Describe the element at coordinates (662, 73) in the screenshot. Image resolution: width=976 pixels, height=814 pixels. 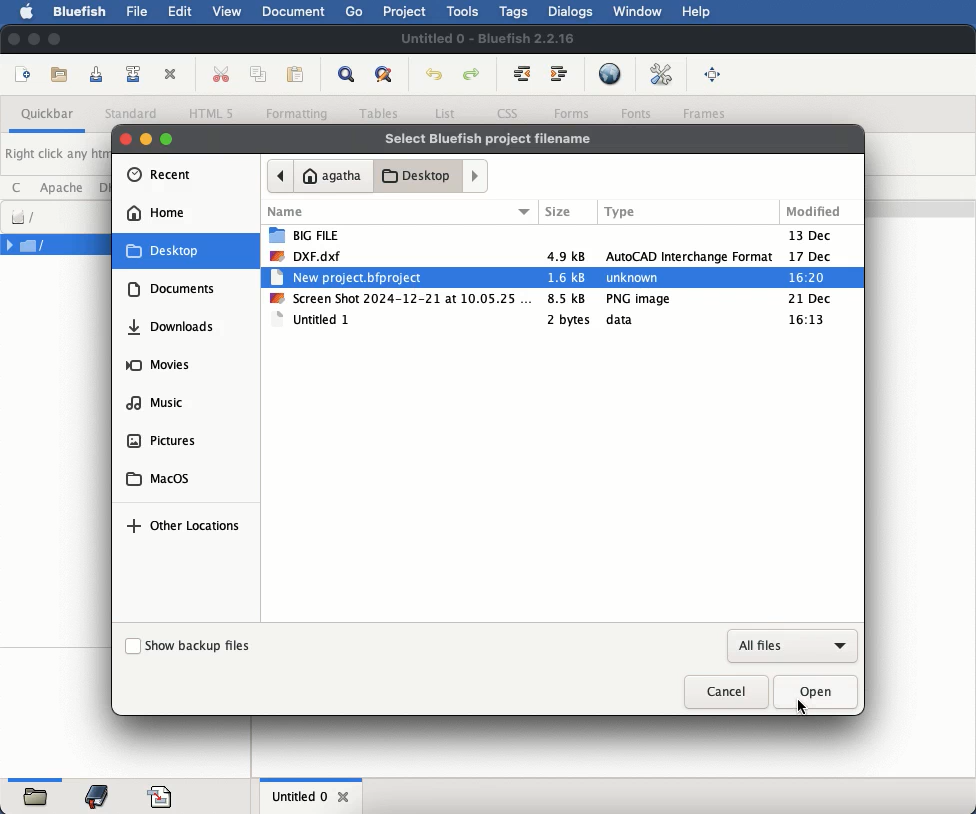
I see `edit preferences ` at that location.